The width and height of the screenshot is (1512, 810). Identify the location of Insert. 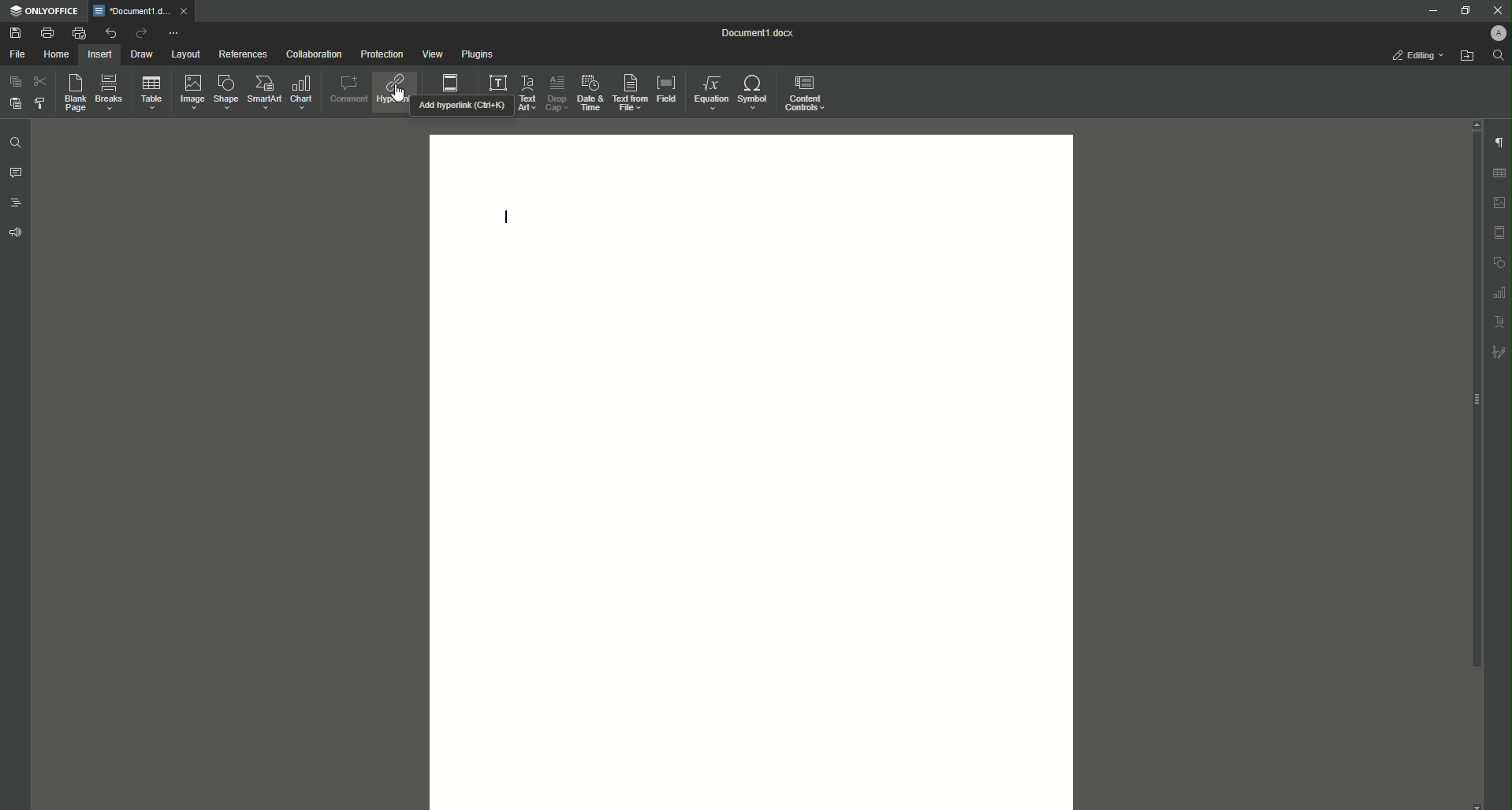
(101, 54).